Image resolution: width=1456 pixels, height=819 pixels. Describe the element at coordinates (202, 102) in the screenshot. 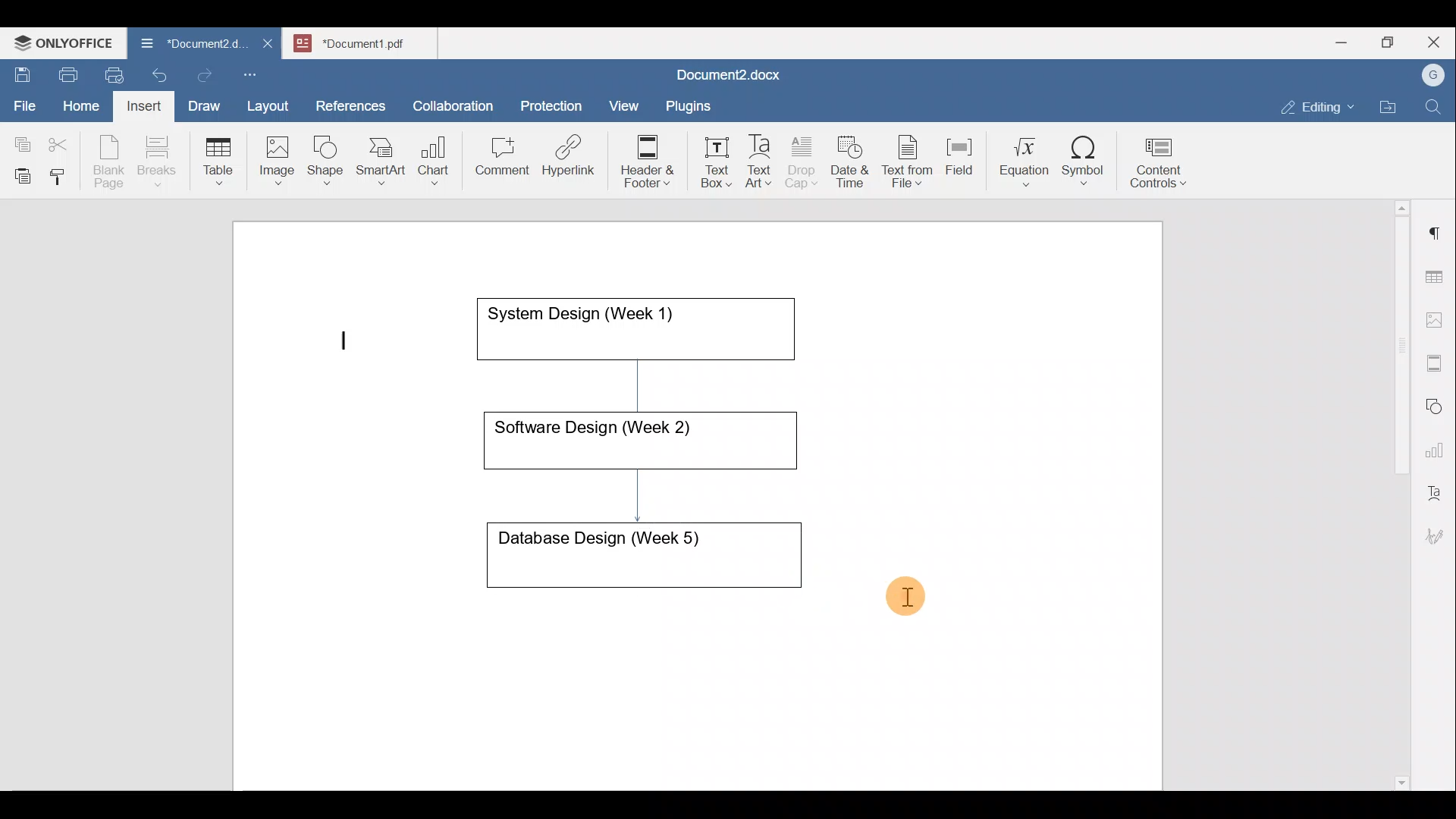

I see `Draw` at that location.